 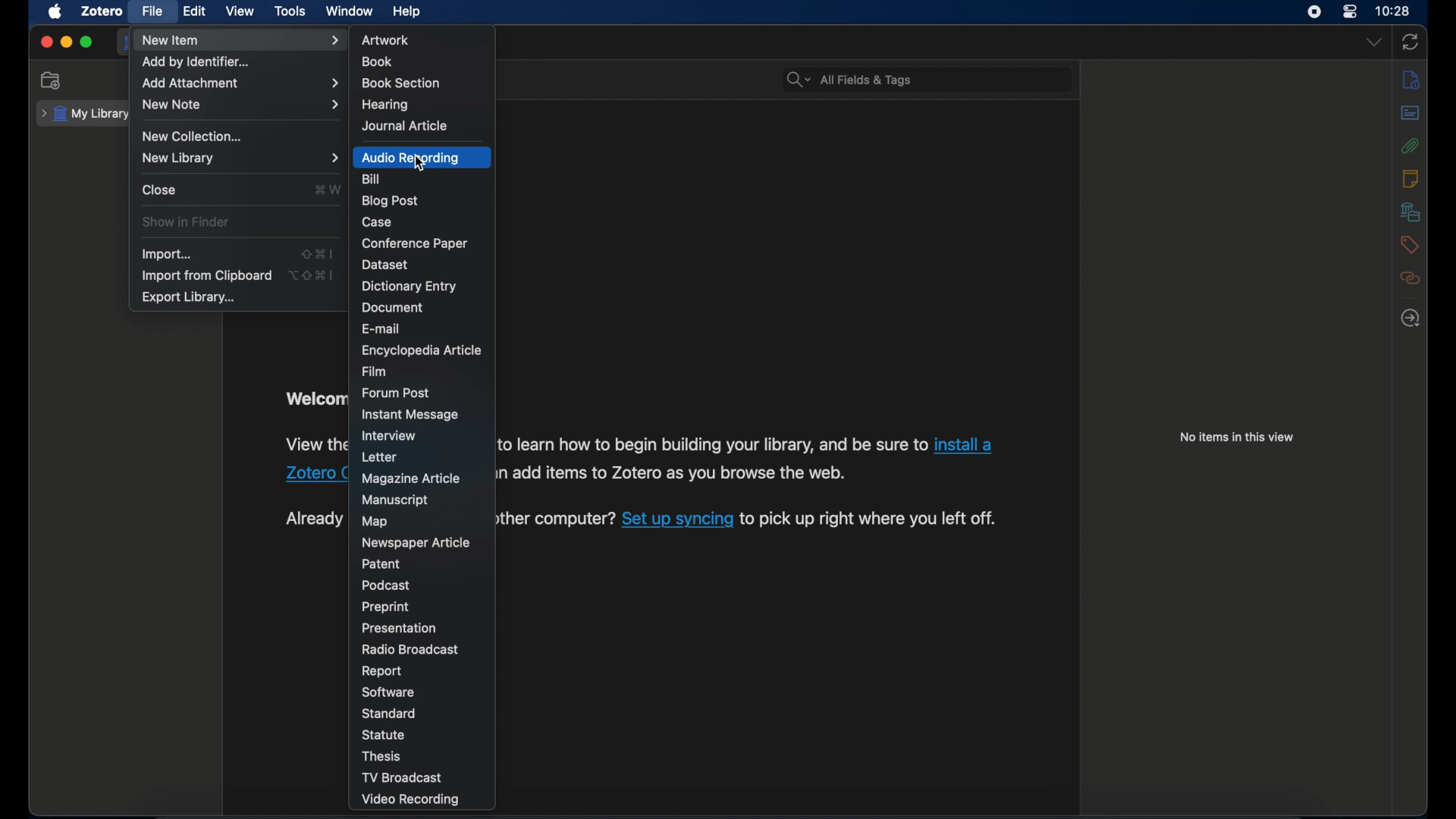 I want to click on blog post, so click(x=391, y=202).